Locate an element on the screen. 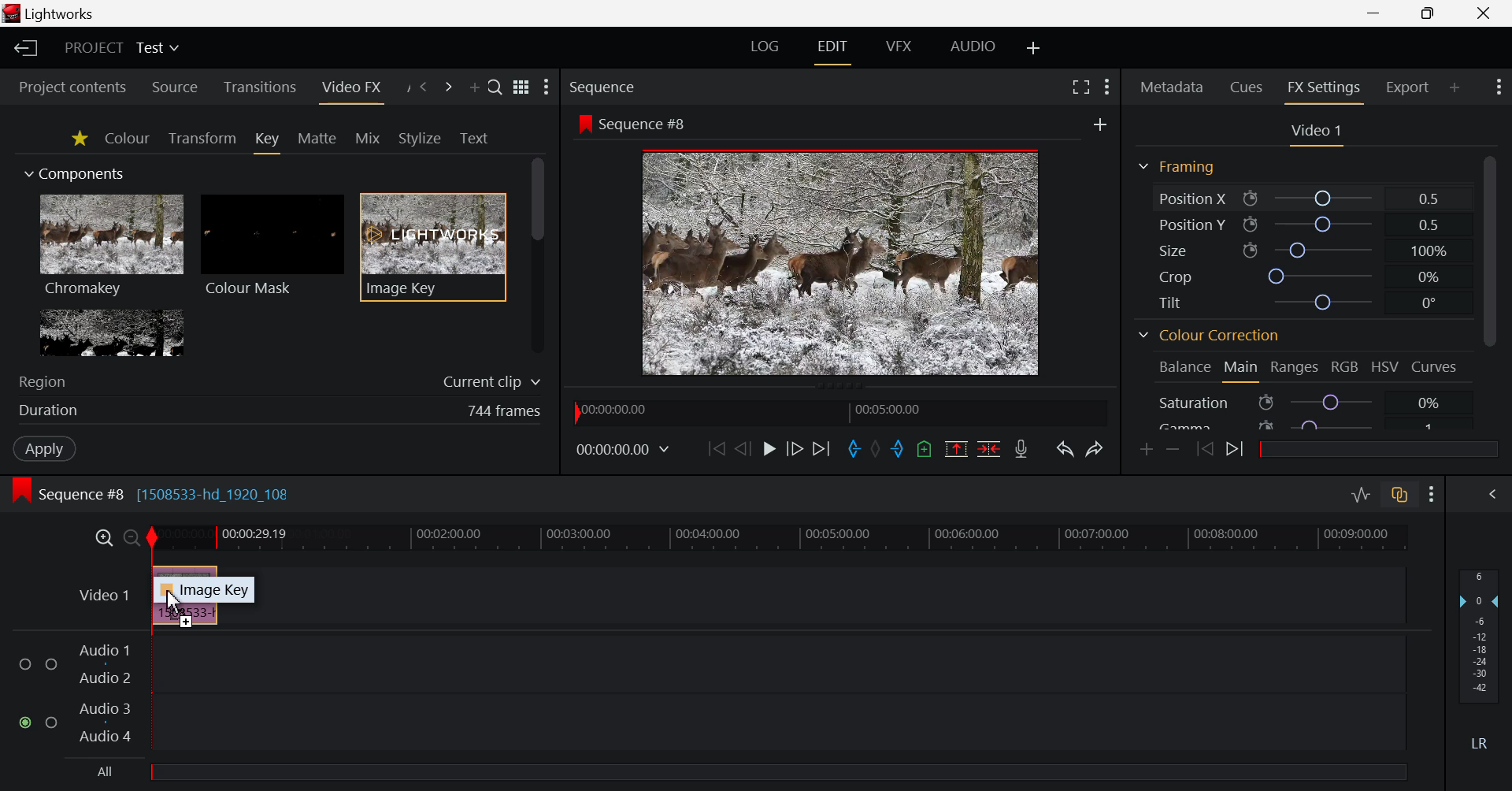 The image size is (1512, 791). Curves is located at coordinates (1433, 367).